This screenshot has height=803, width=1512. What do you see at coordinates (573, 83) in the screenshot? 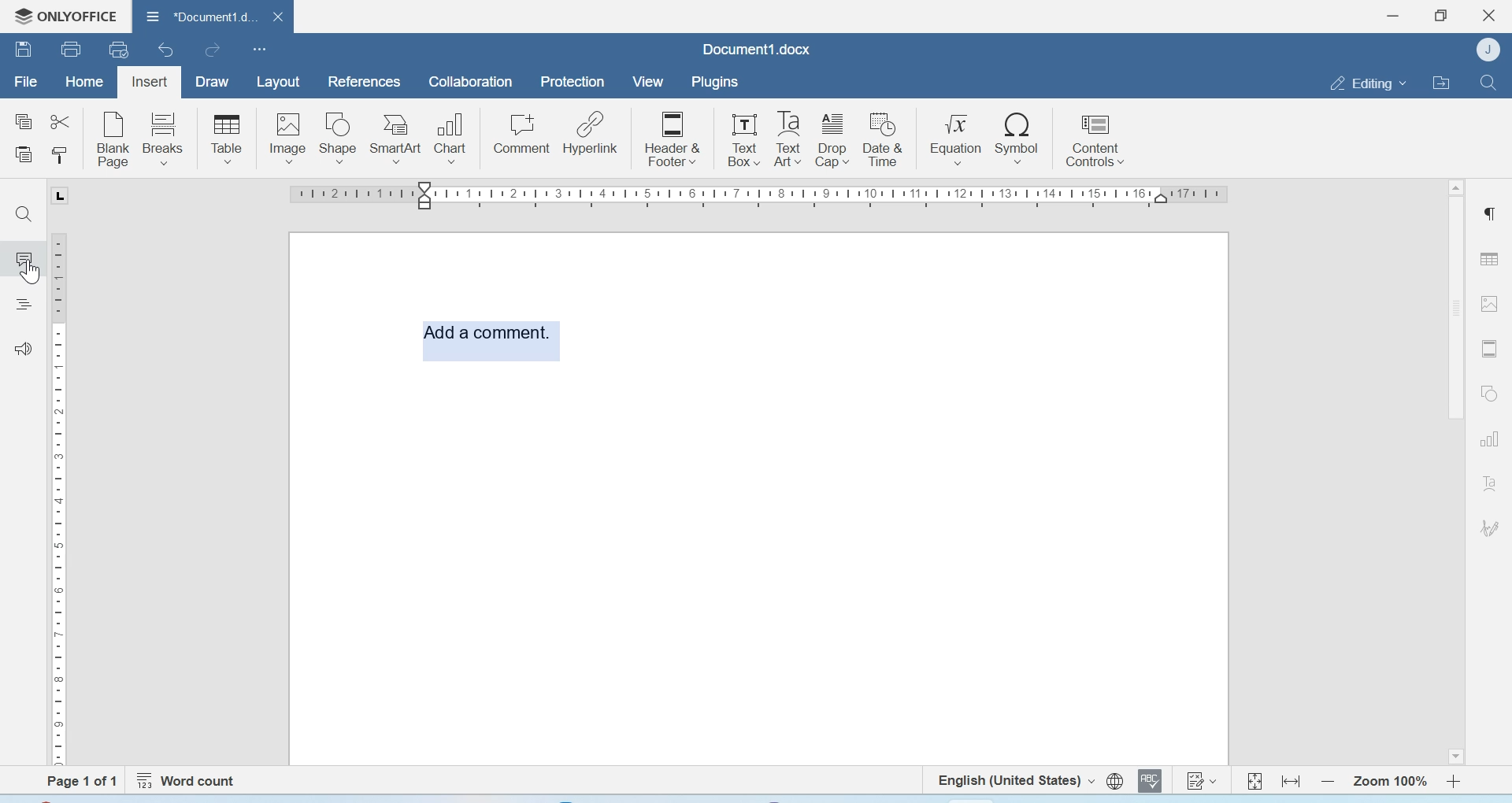
I see `Protection` at bounding box center [573, 83].